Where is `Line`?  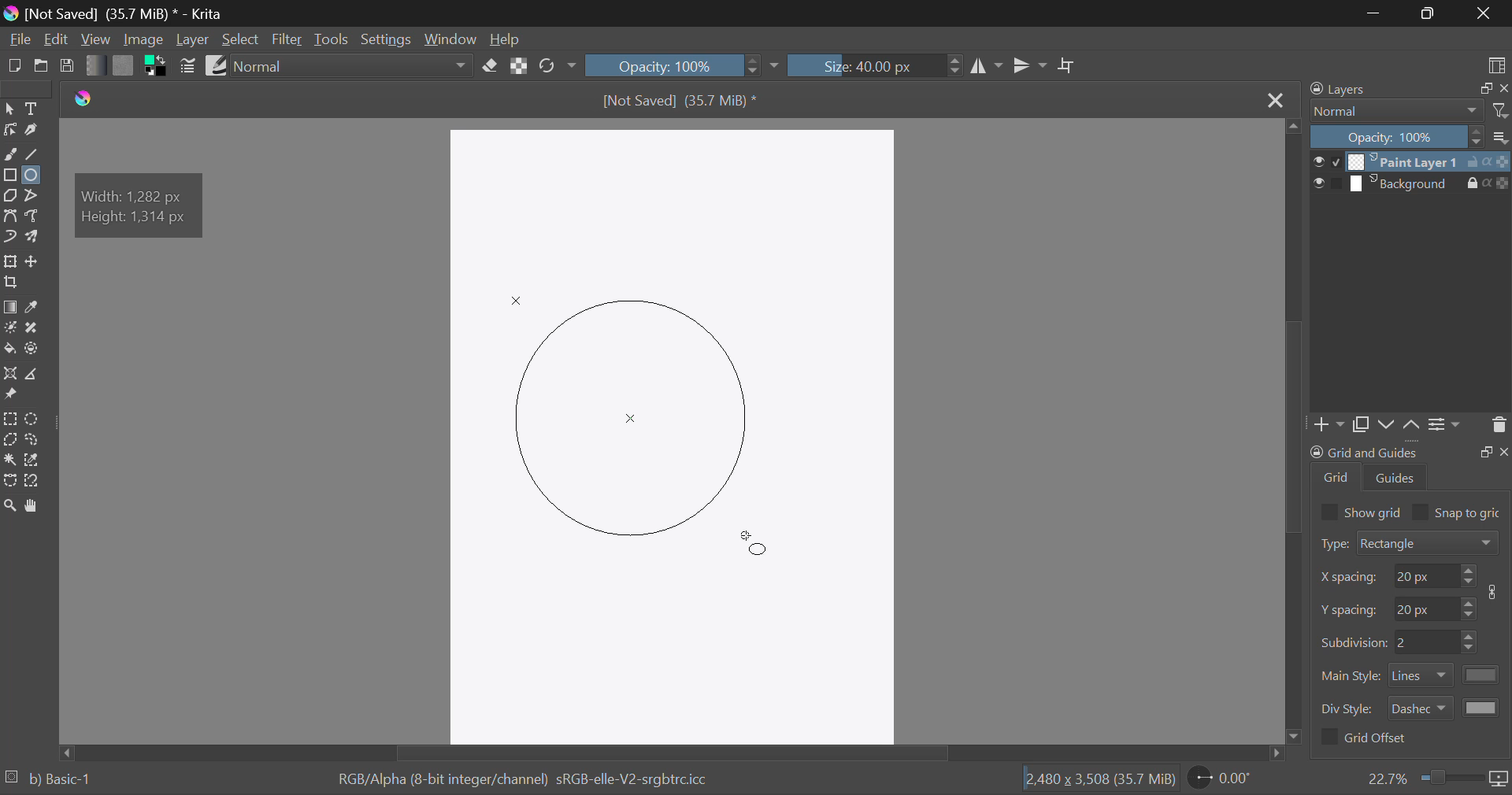 Line is located at coordinates (32, 152).